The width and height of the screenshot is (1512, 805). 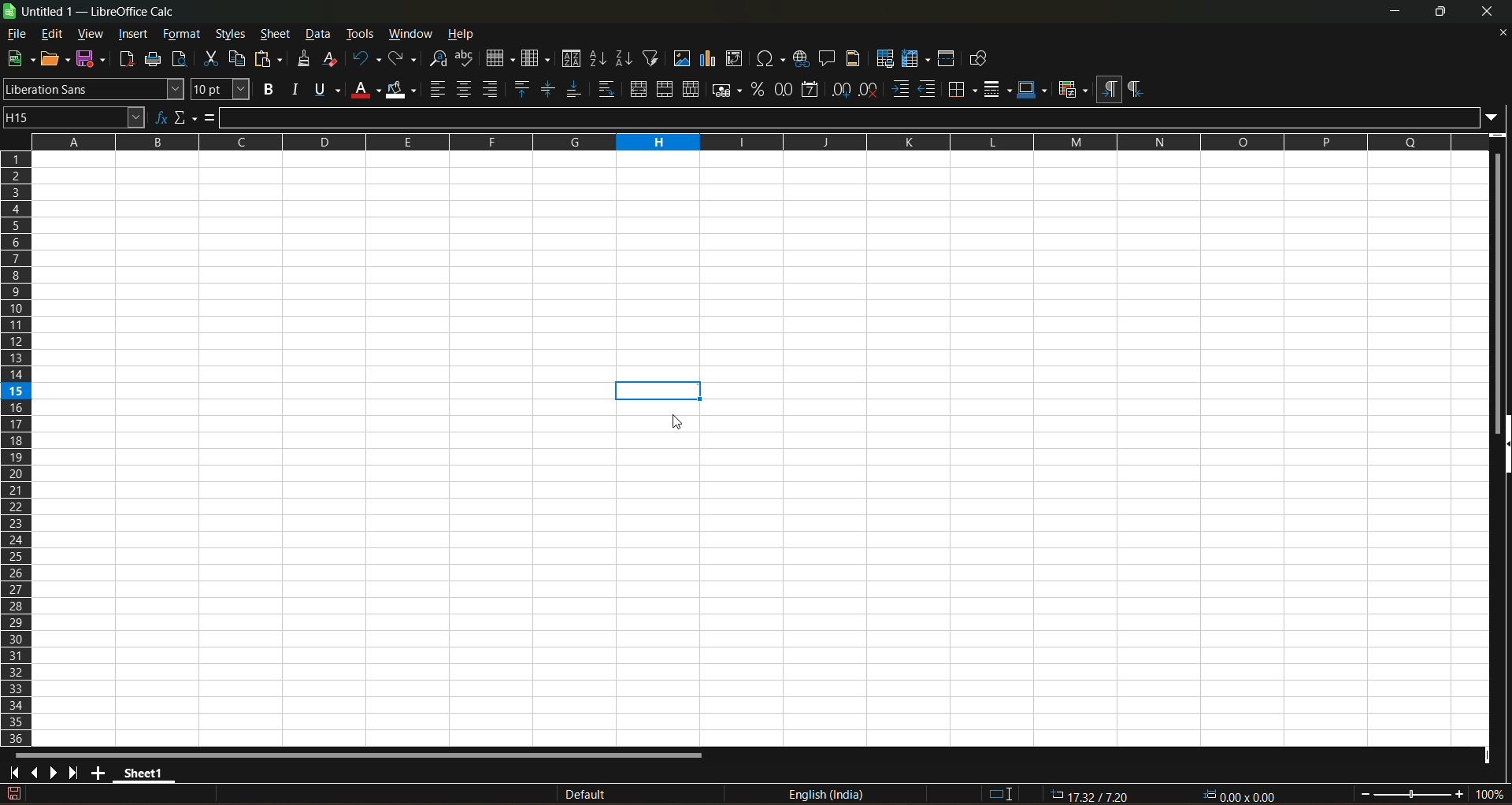 What do you see at coordinates (210, 58) in the screenshot?
I see `cut` at bounding box center [210, 58].